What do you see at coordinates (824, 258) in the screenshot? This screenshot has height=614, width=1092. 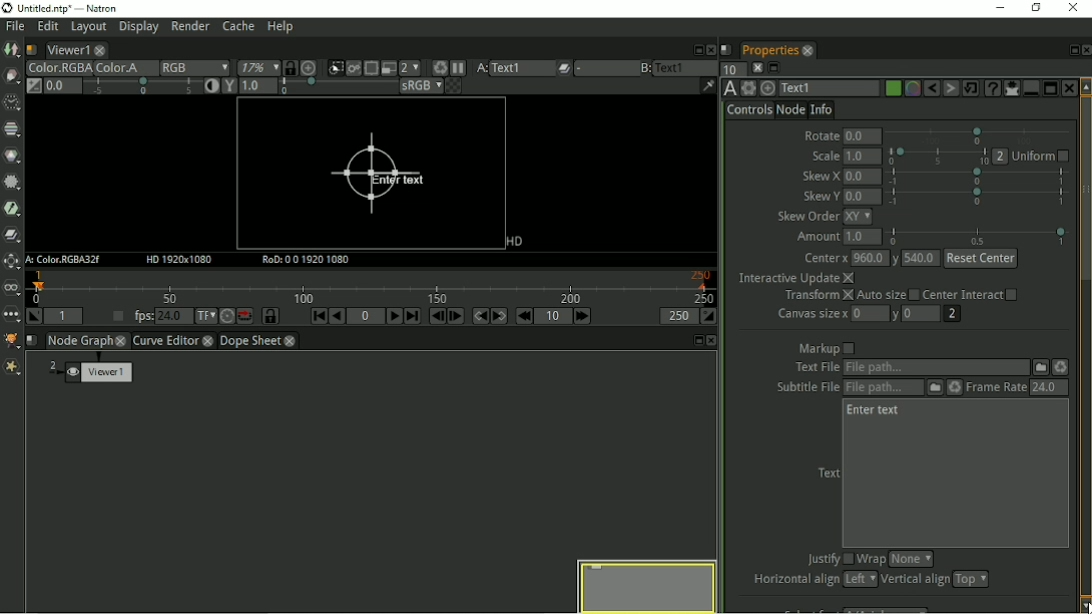 I see `Center` at bounding box center [824, 258].